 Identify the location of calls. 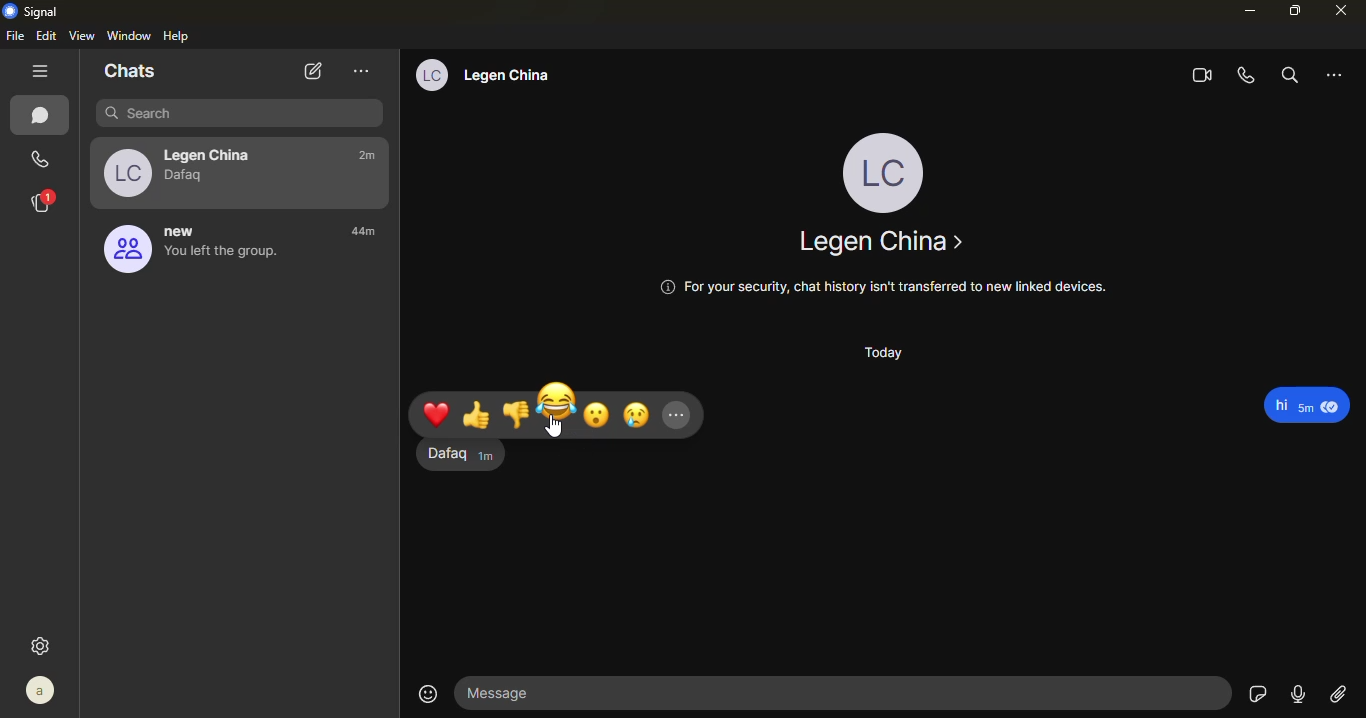
(36, 159).